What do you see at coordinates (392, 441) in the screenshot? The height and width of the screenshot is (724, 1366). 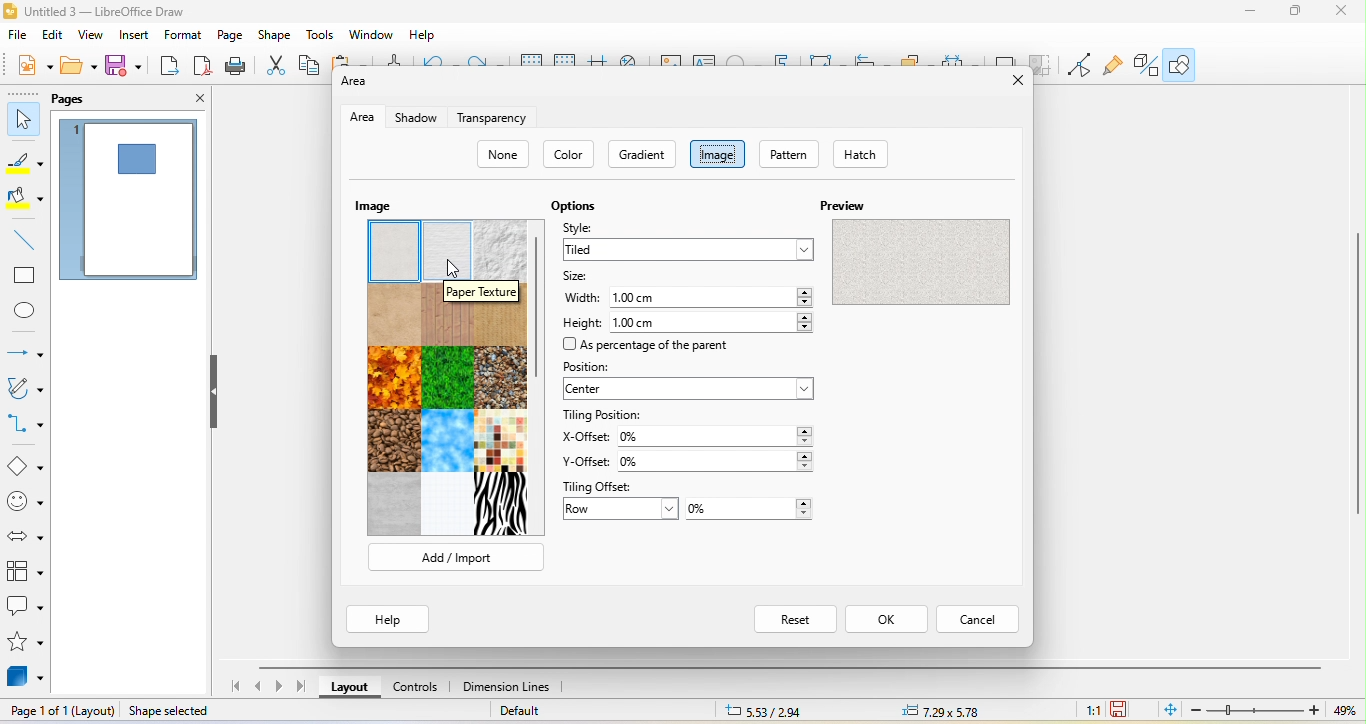 I see `texture 10` at bounding box center [392, 441].